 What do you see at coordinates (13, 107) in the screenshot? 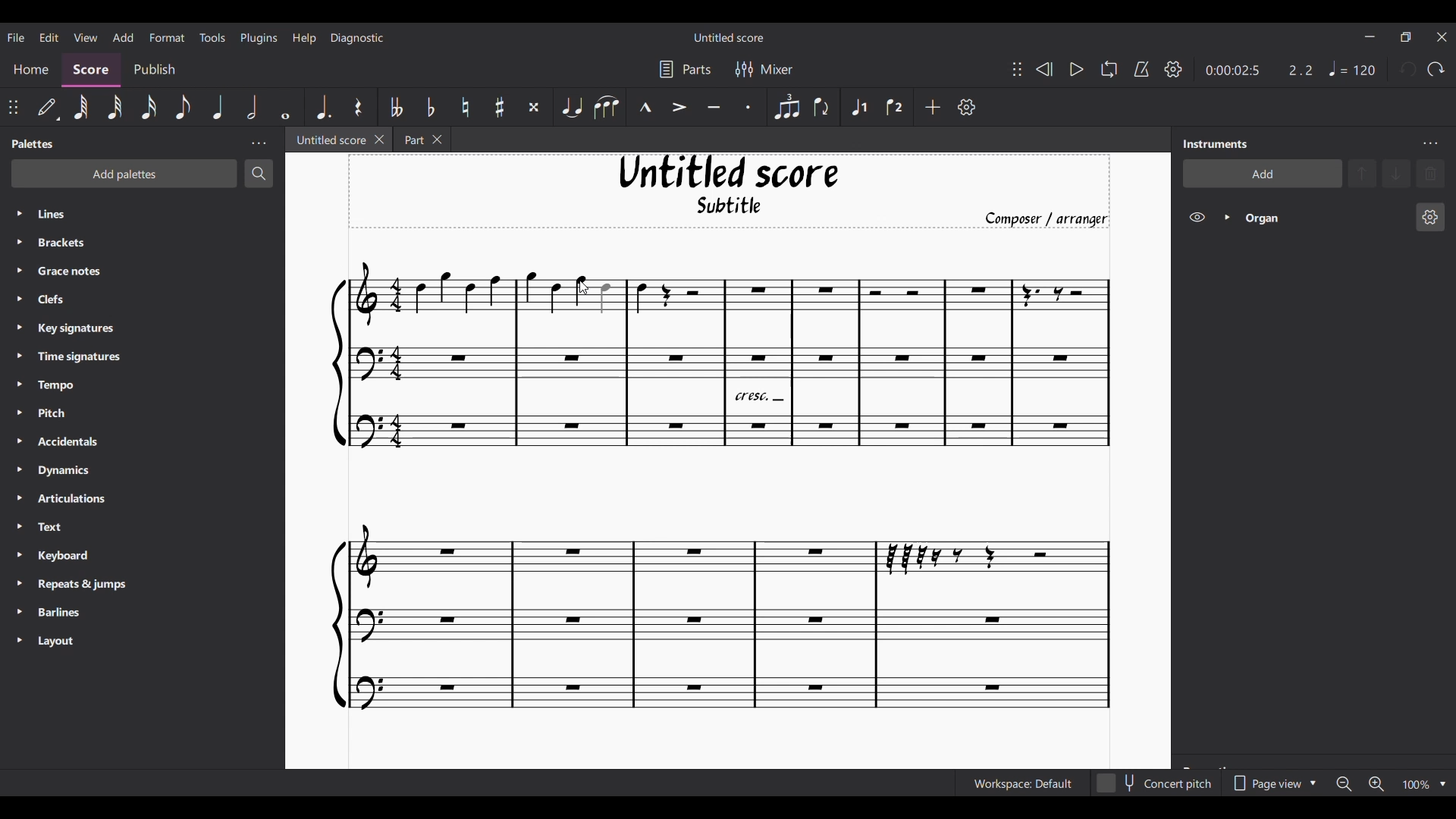
I see `Change position of toolbar attached` at bounding box center [13, 107].